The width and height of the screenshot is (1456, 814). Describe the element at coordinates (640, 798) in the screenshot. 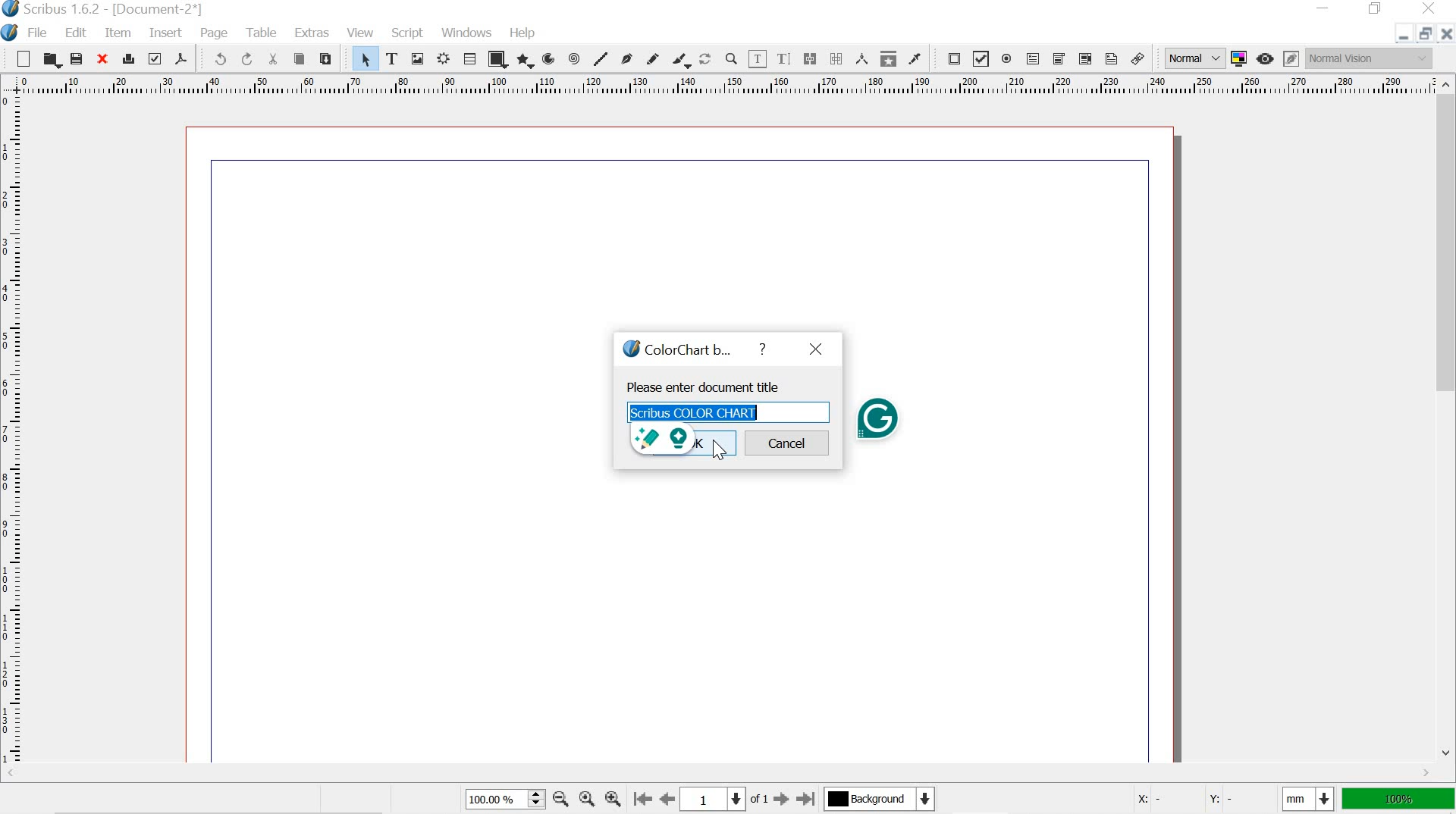

I see `First page` at that location.